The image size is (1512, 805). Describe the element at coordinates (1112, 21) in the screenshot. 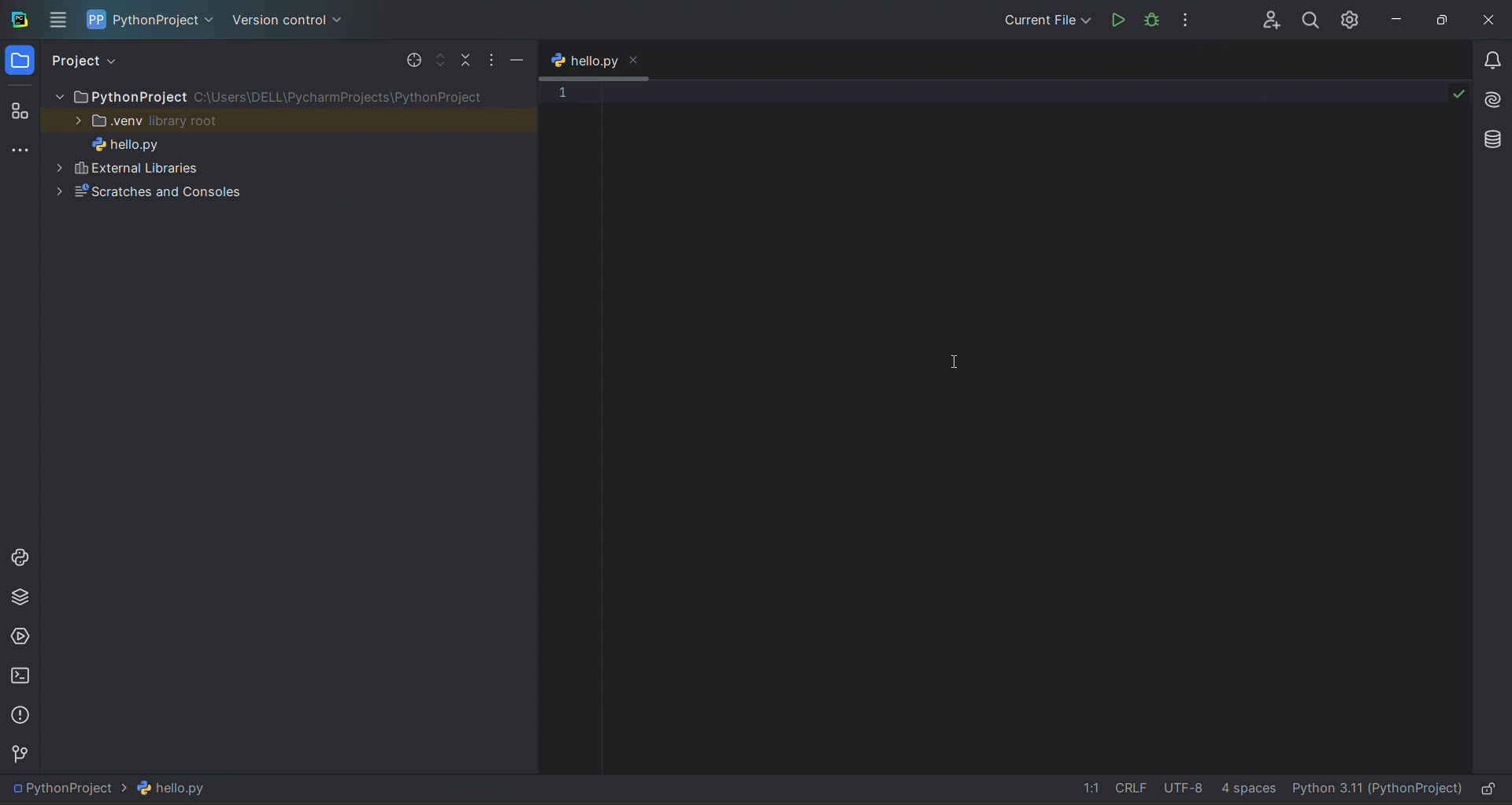

I see `run` at that location.